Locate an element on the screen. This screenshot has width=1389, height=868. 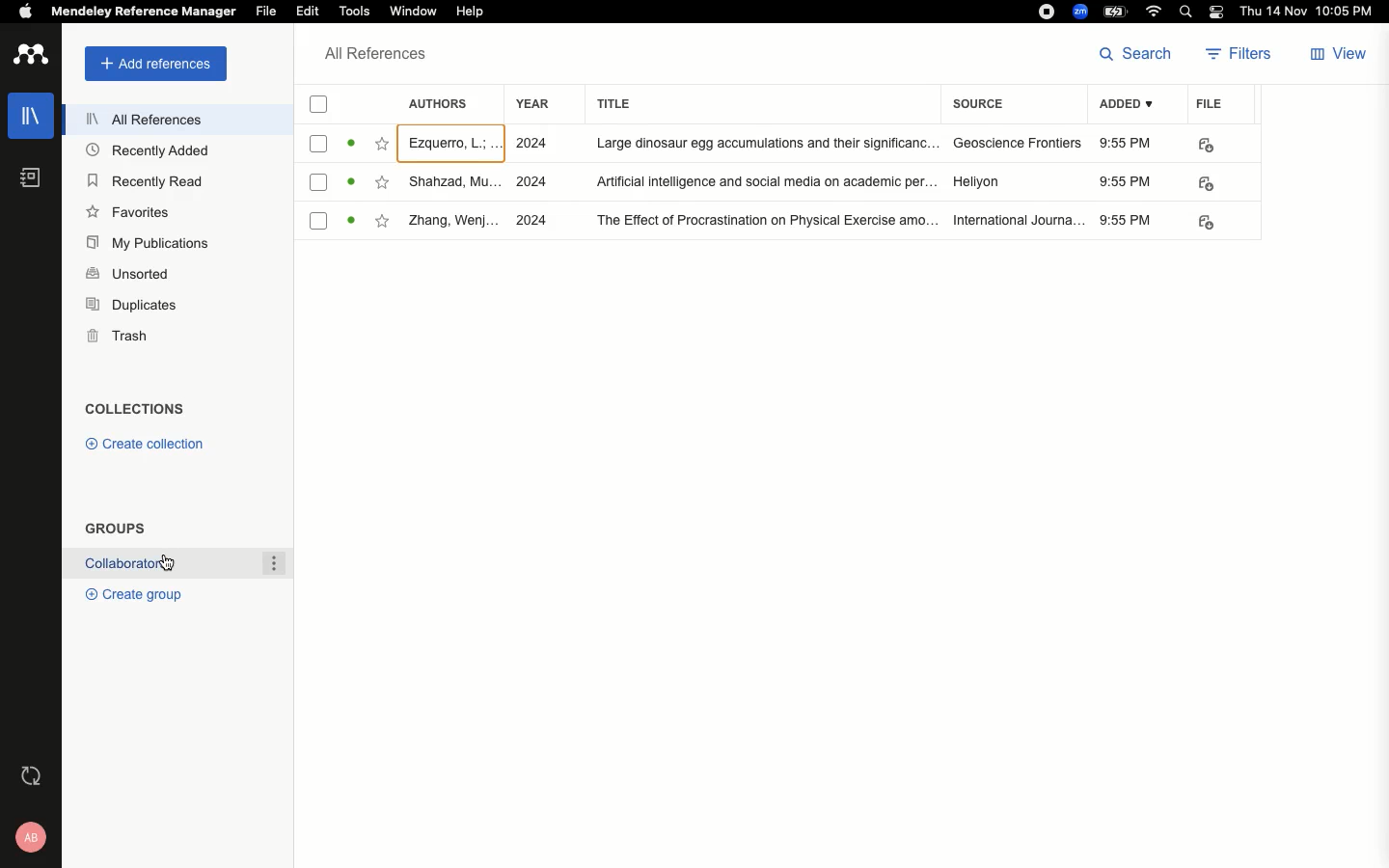
Charge is located at coordinates (1118, 11).